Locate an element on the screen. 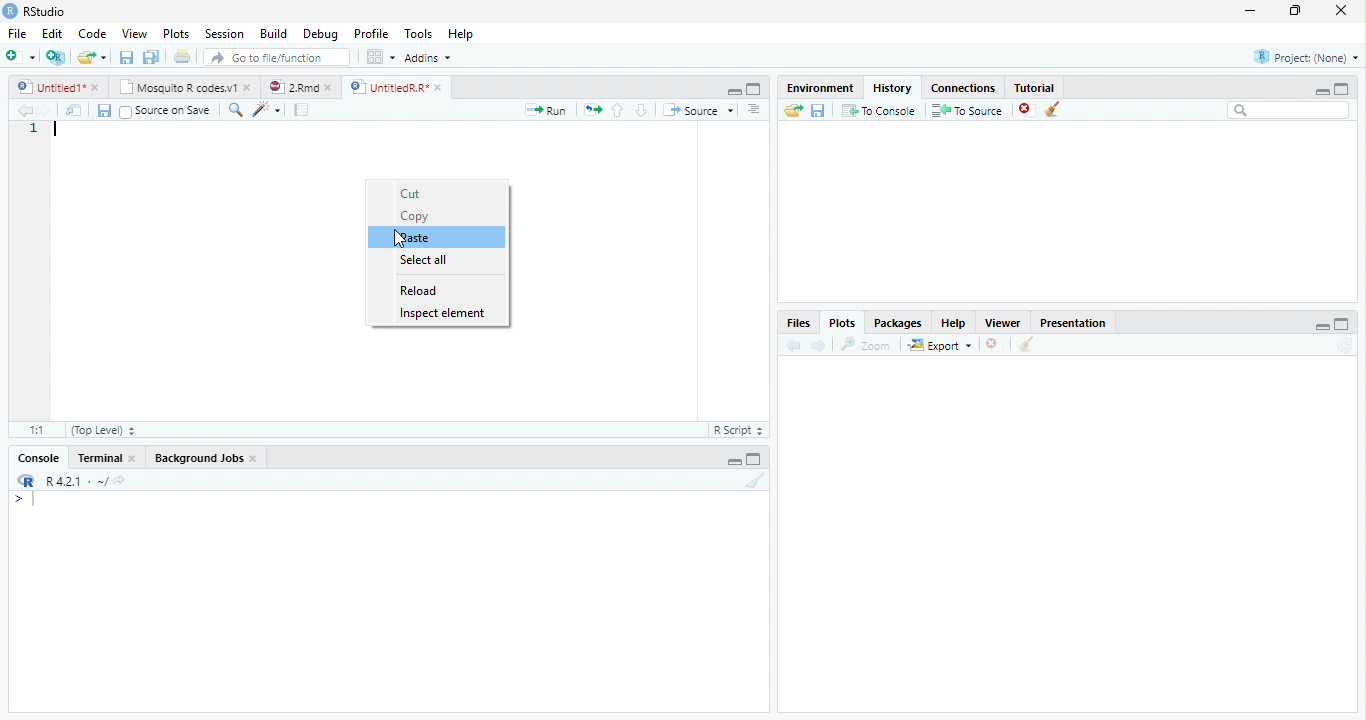 Image resolution: width=1366 pixels, height=720 pixels. Code is located at coordinates (94, 35).